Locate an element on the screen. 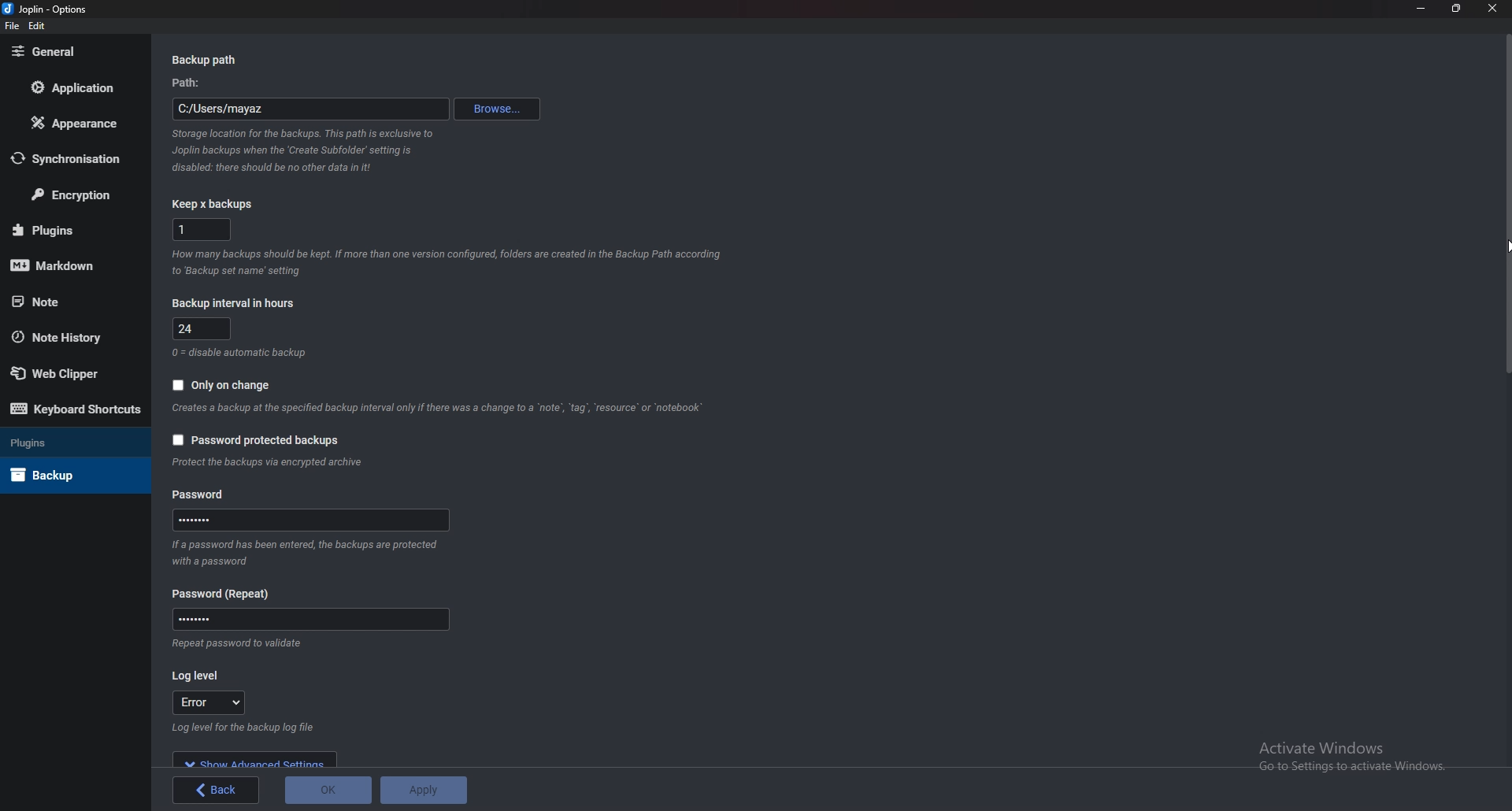 The image size is (1512, 811). path is located at coordinates (194, 84).